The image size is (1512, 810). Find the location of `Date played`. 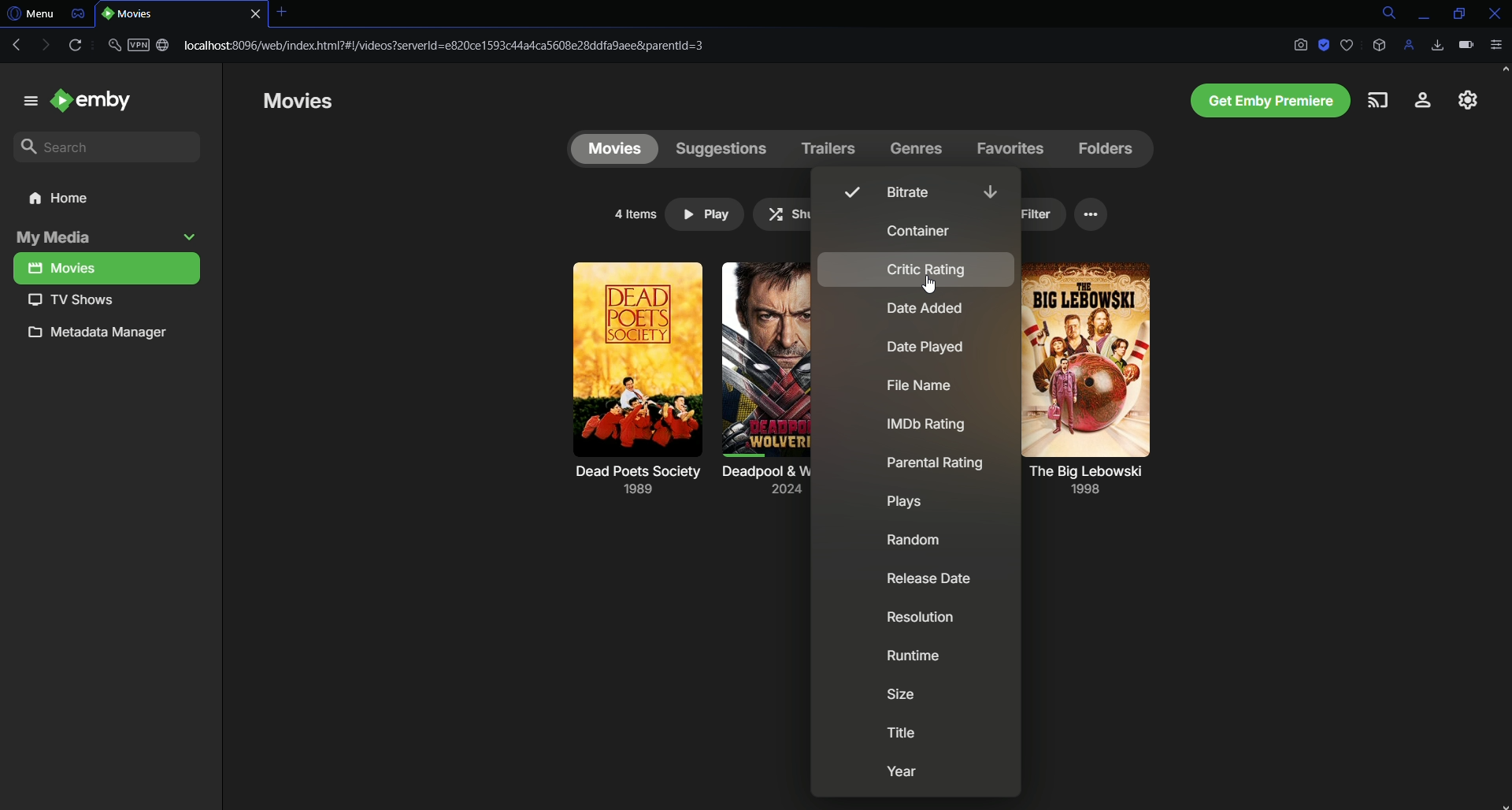

Date played is located at coordinates (926, 351).